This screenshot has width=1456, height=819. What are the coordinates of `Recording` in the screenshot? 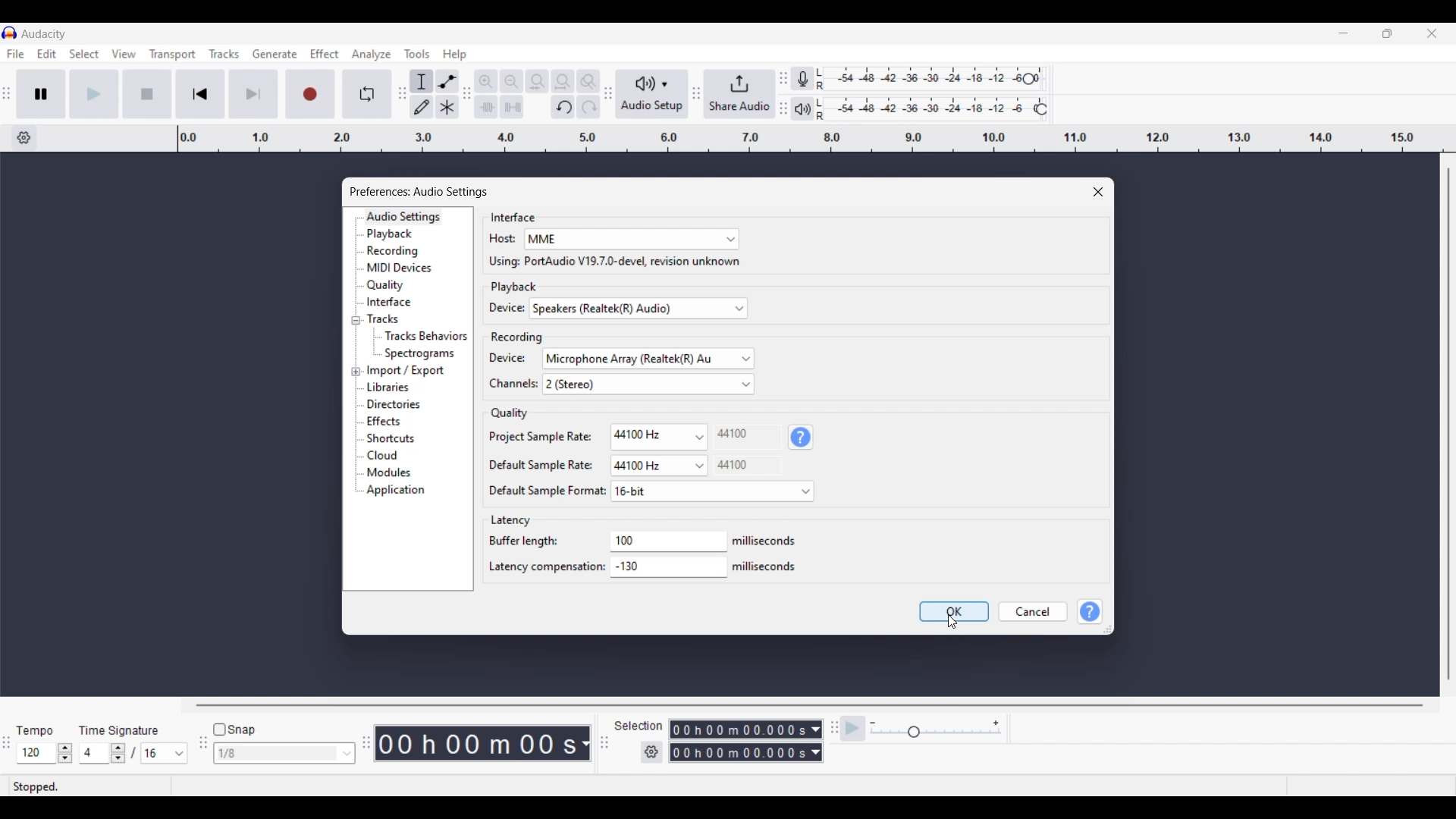 It's located at (405, 251).